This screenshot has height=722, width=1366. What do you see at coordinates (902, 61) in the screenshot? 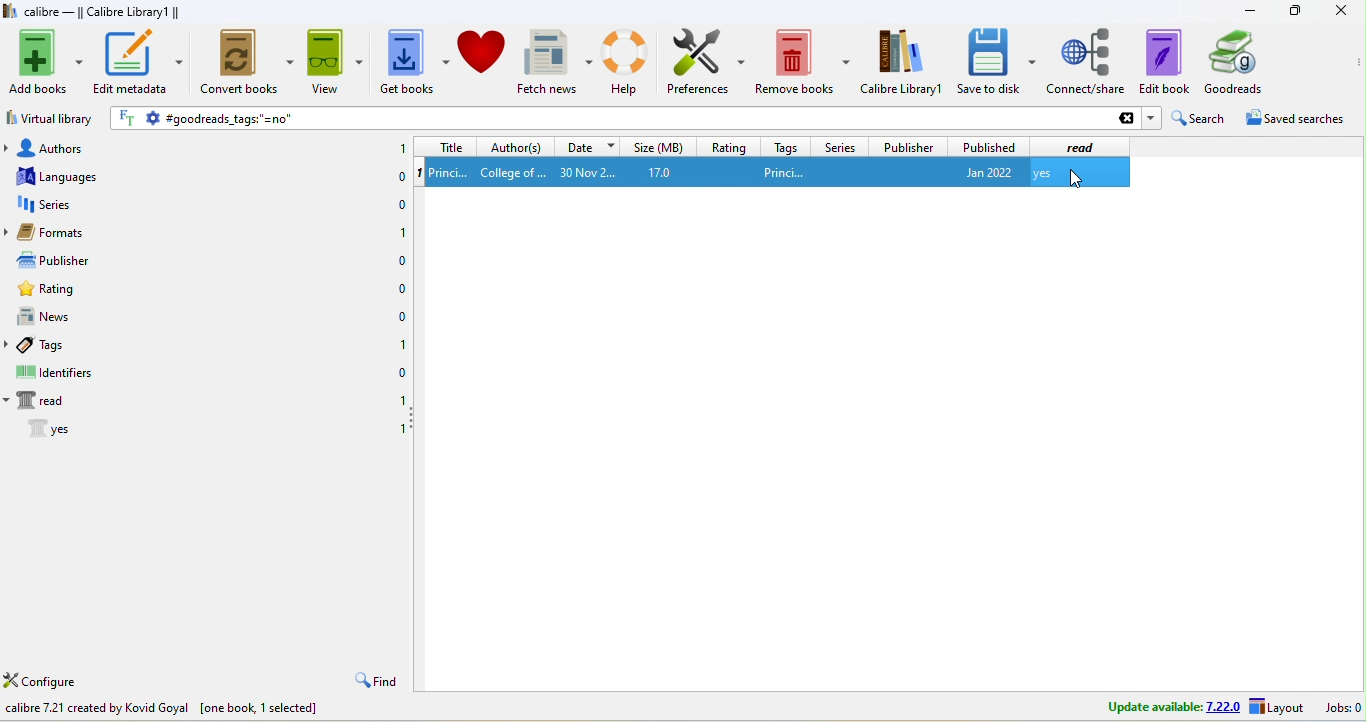
I see `calibre library 1` at bounding box center [902, 61].